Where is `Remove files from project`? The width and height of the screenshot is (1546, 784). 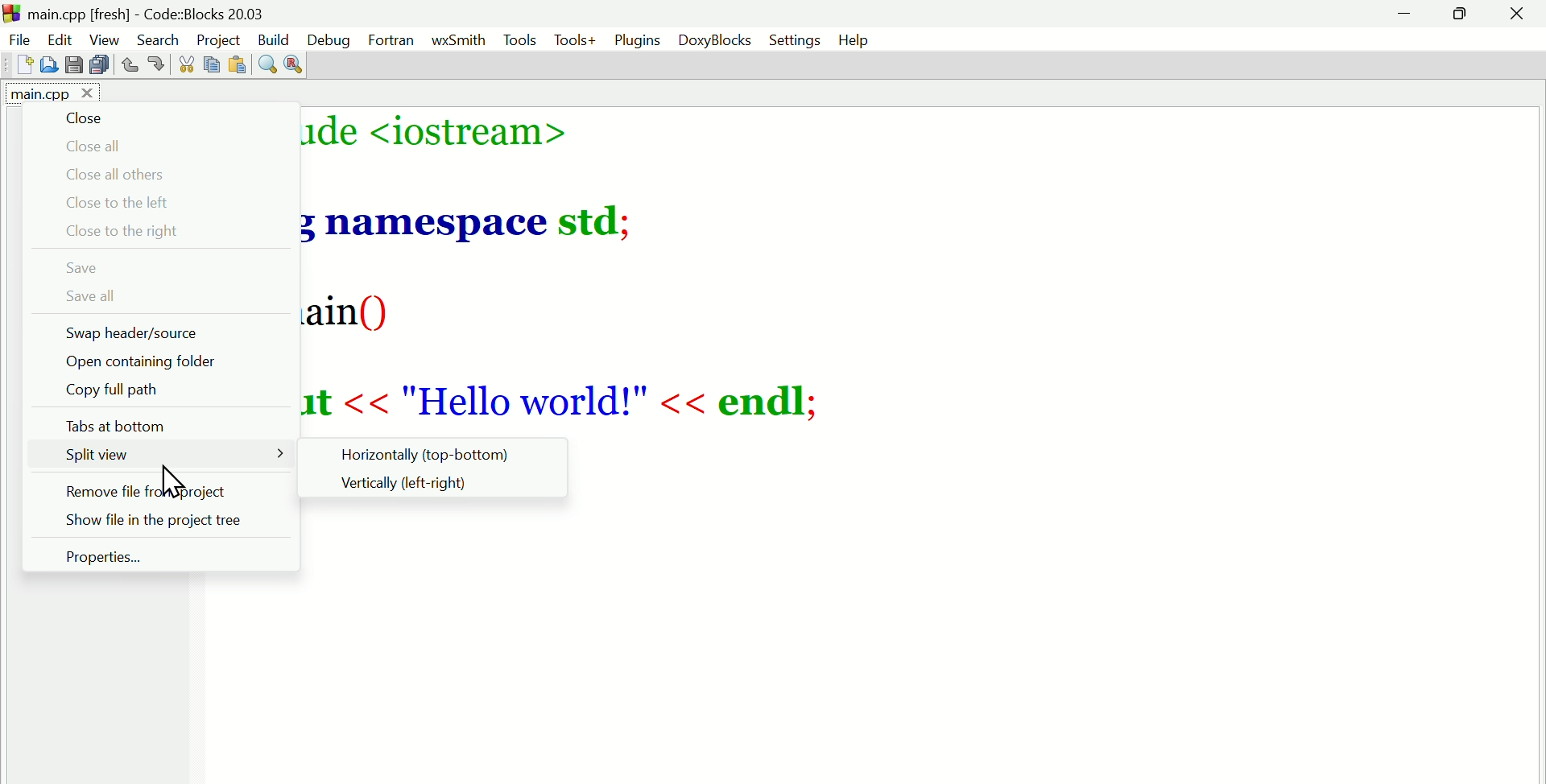 Remove files from project is located at coordinates (163, 491).